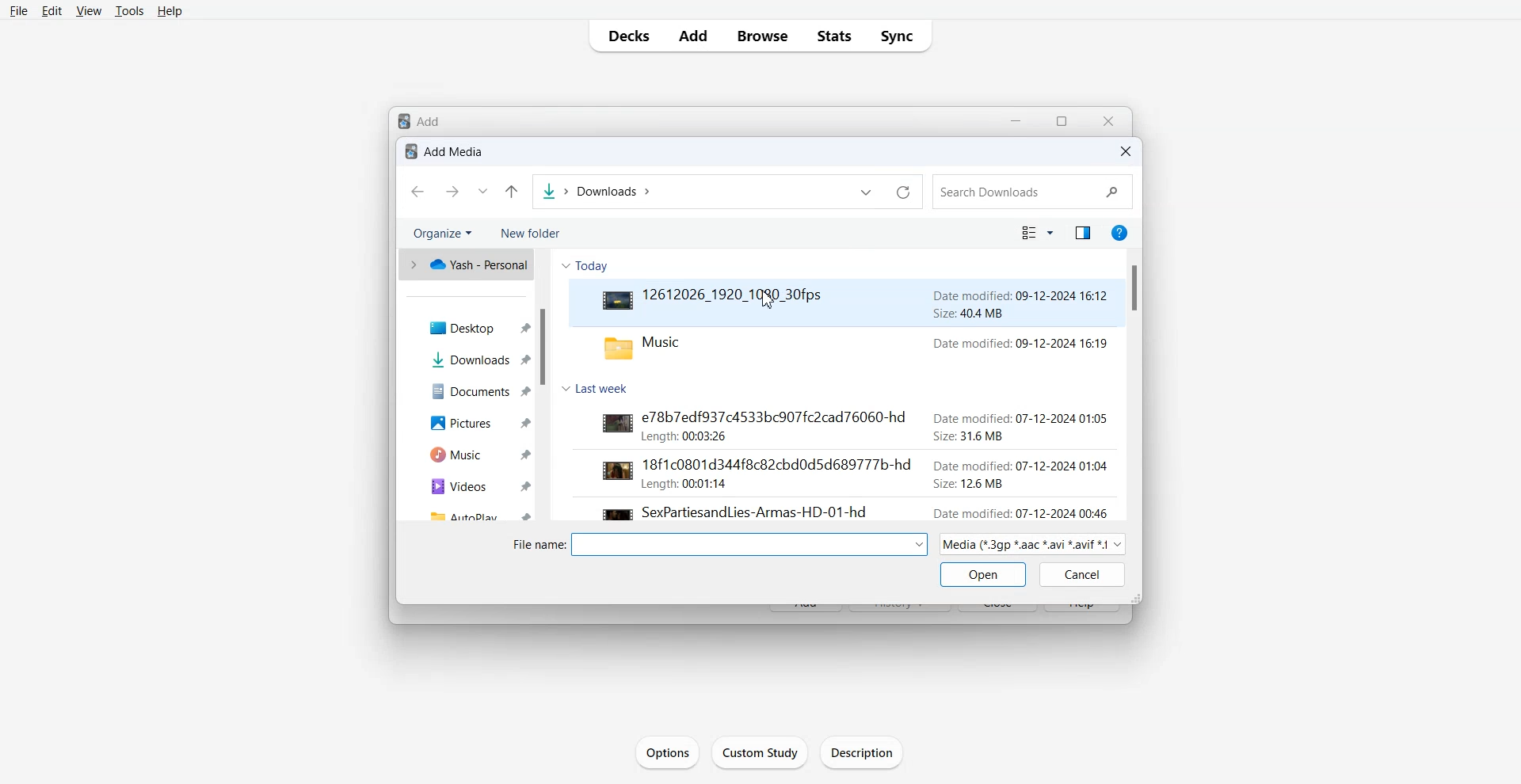  What do you see at coordinates (473, 488) in the screenshot?
I see `Videos` at bounding box center [473, 488].